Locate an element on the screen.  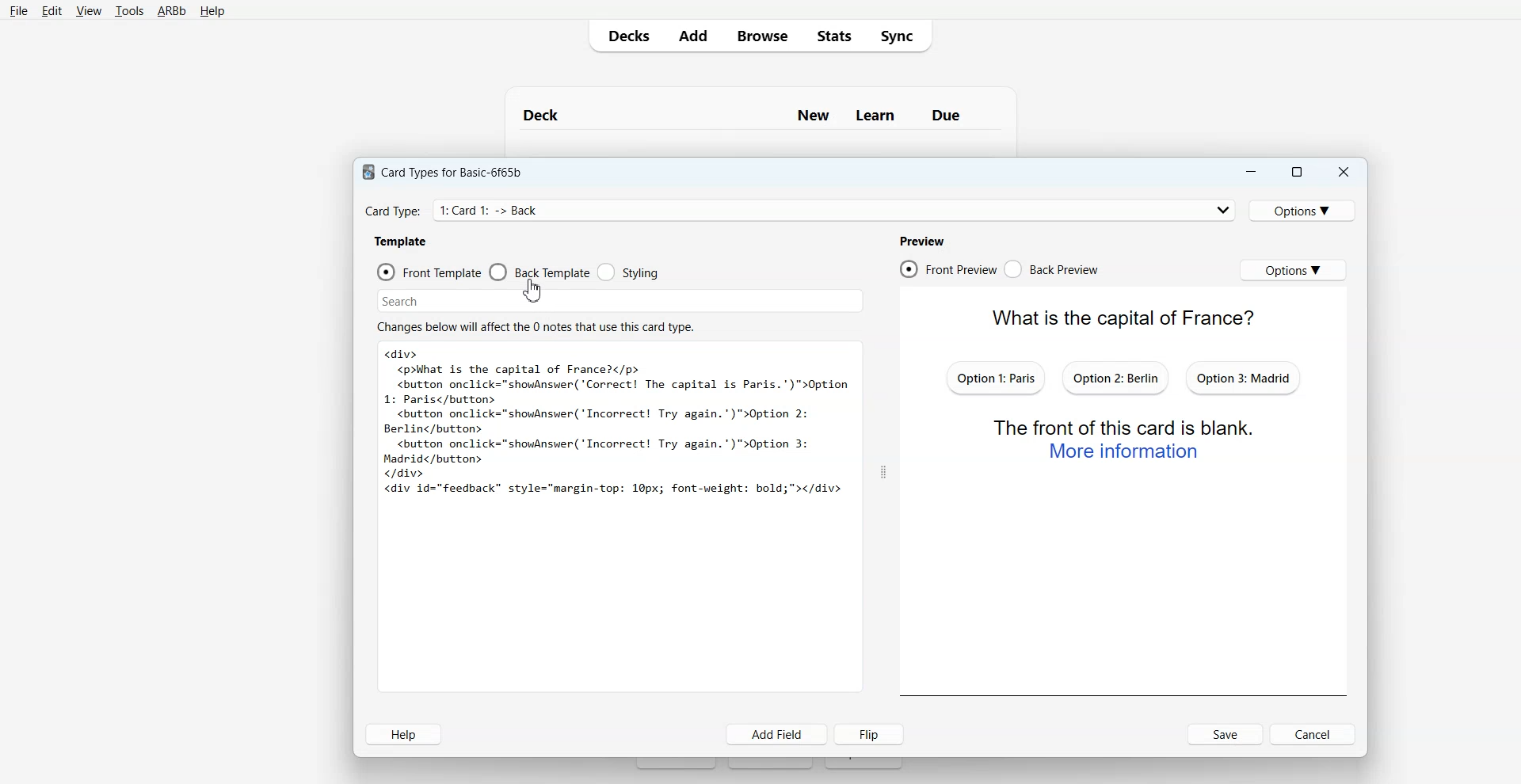
Cursor is located at coordinates (533, 291).